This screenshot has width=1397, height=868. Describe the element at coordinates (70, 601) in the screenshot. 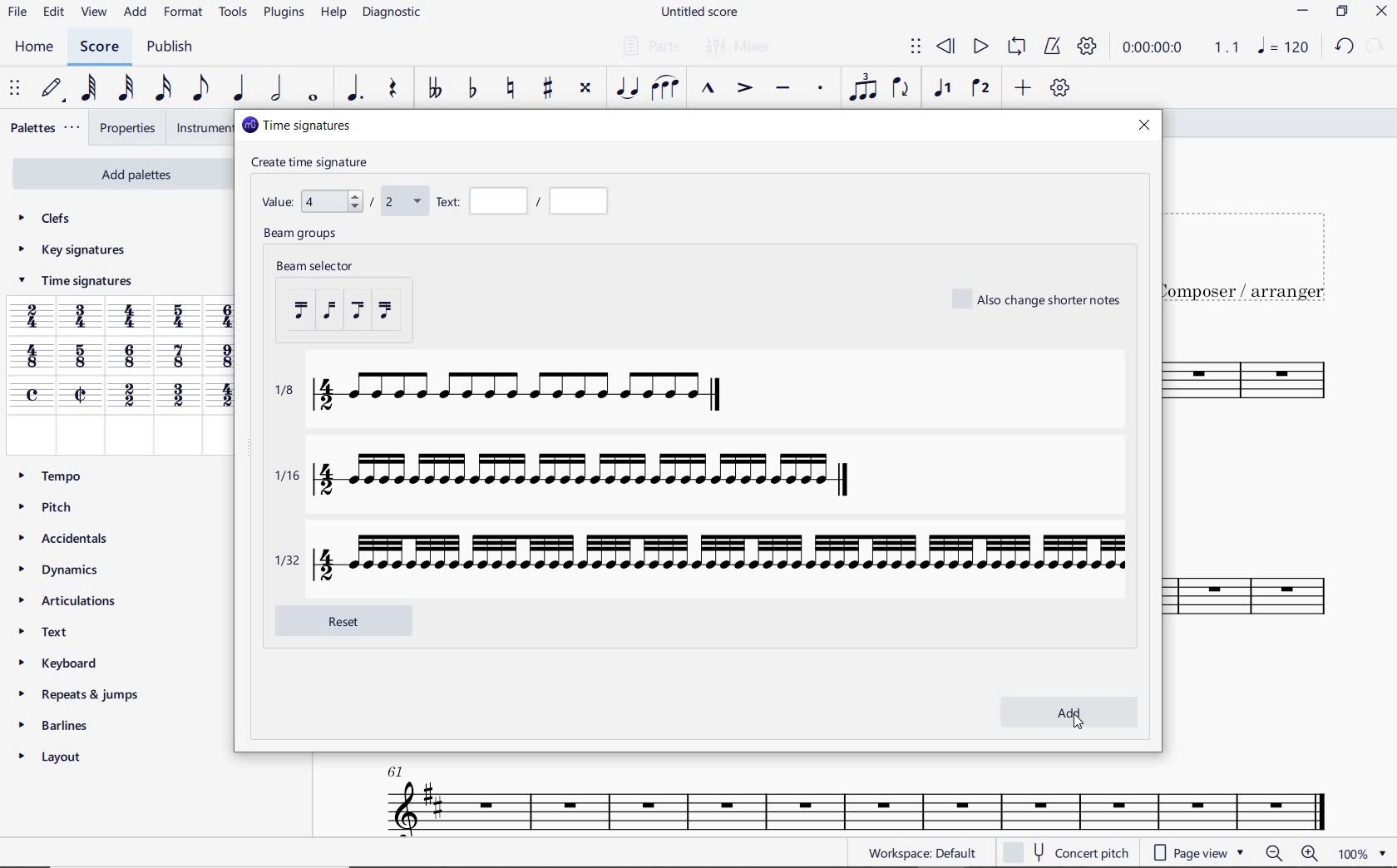

I see `ARTICULATIONS` at that location.